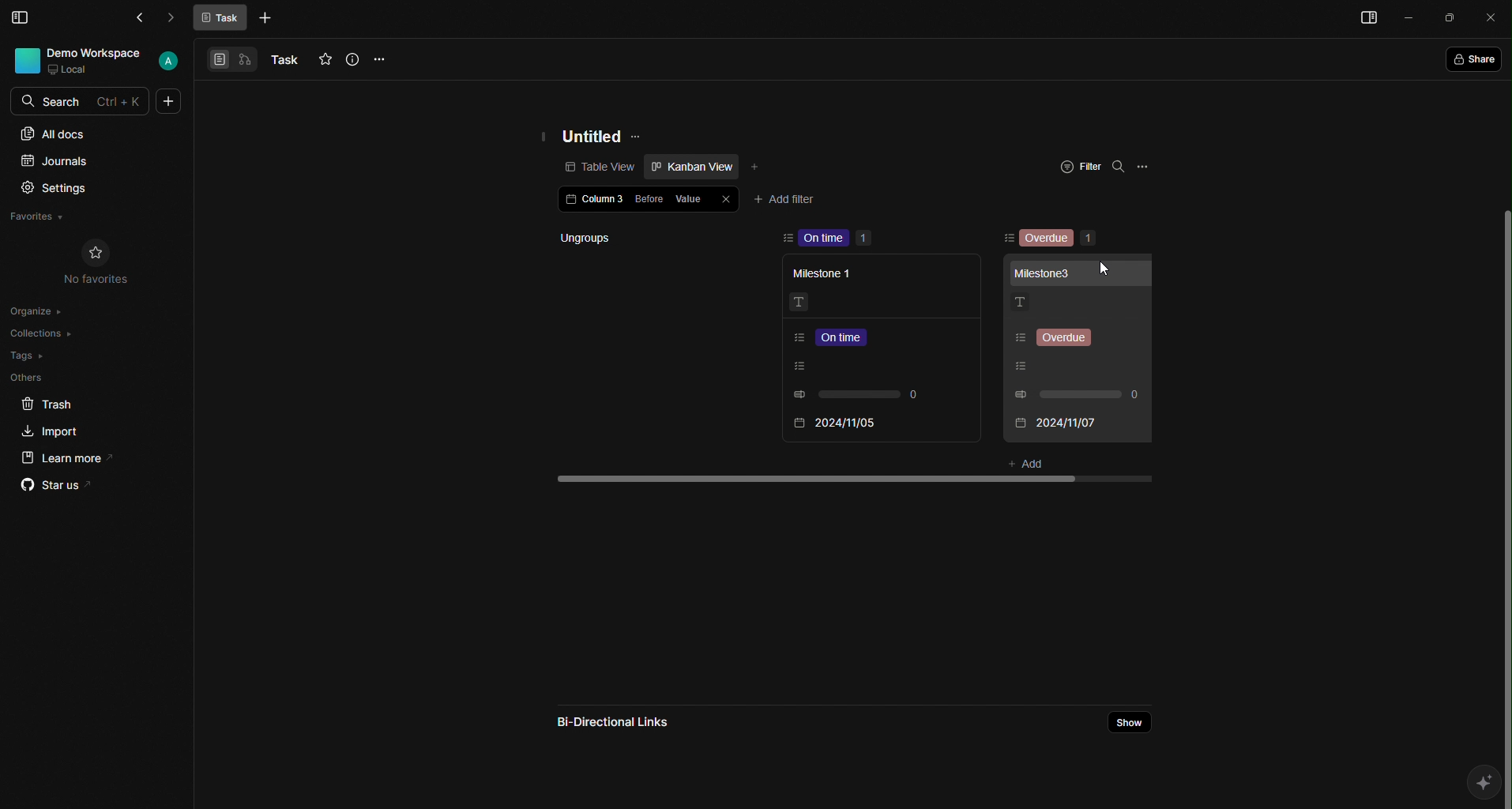 The height and width of the screenshot is (809, 1512). Describe the element at coordinates (579, 167) in the screenshot. I see `Table view` at that location.